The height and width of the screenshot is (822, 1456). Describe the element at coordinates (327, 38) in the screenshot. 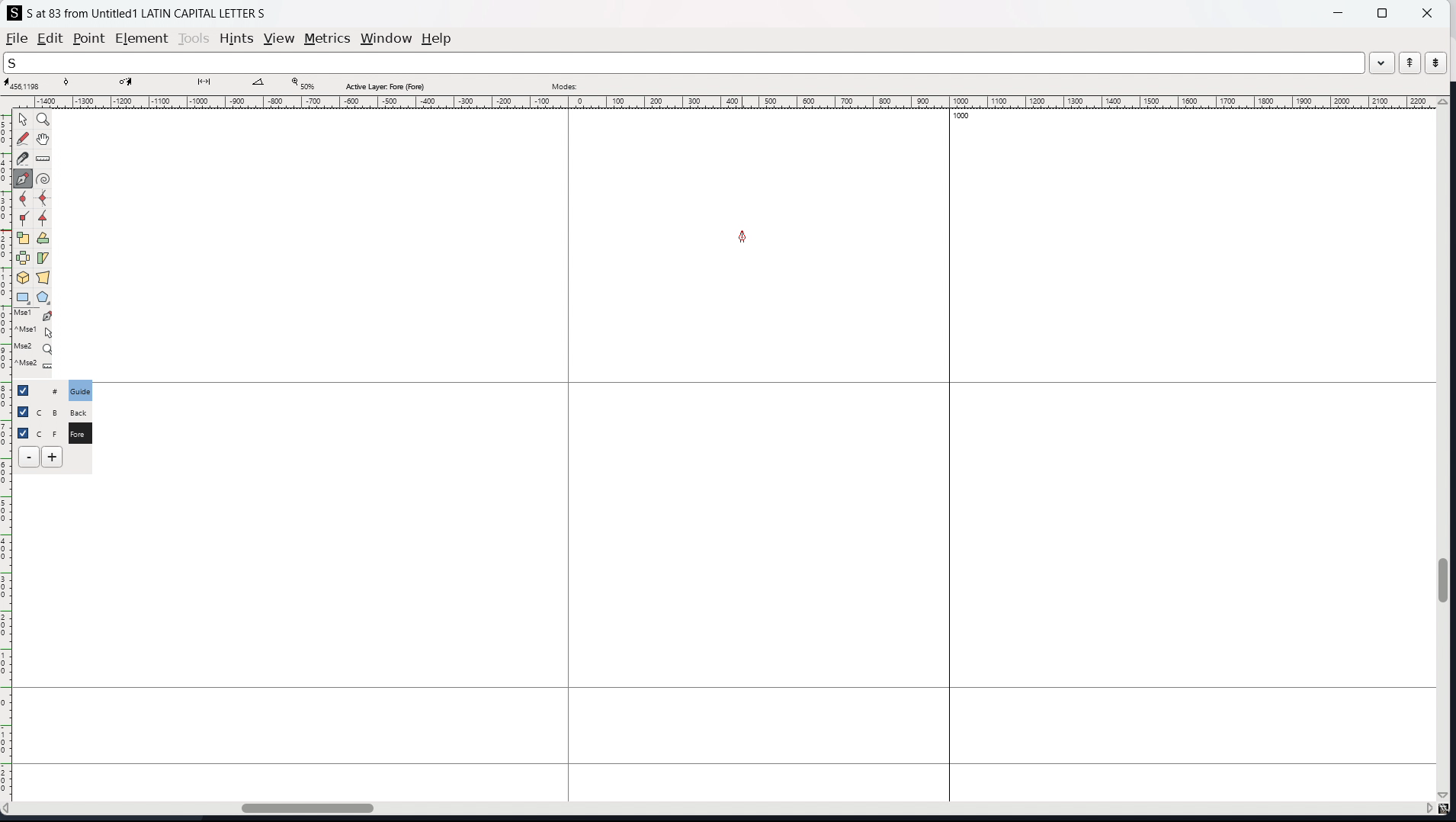

I see `metrics` at that location.